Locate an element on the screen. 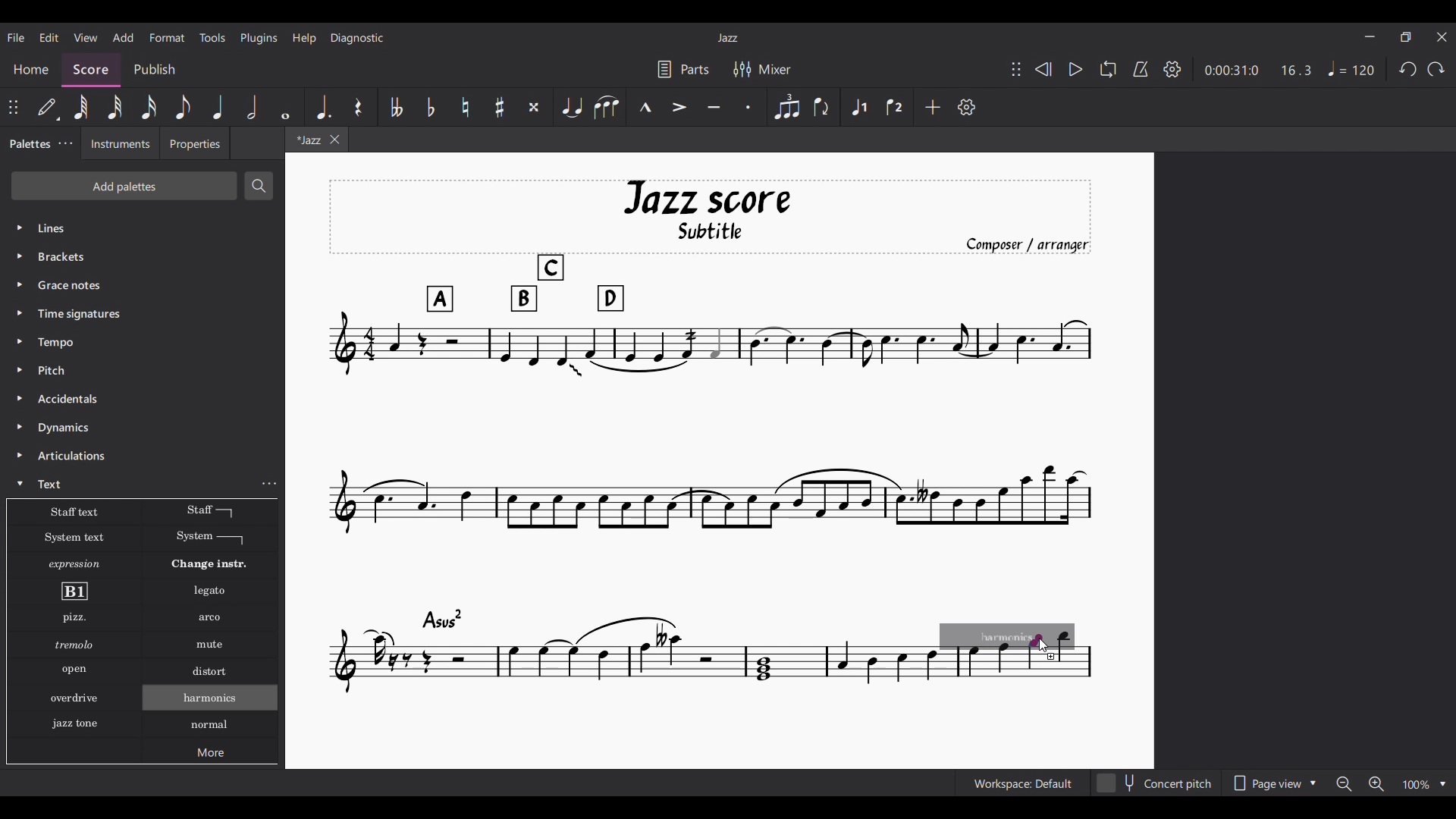  Flip direction is located at coordinates (822, 106).